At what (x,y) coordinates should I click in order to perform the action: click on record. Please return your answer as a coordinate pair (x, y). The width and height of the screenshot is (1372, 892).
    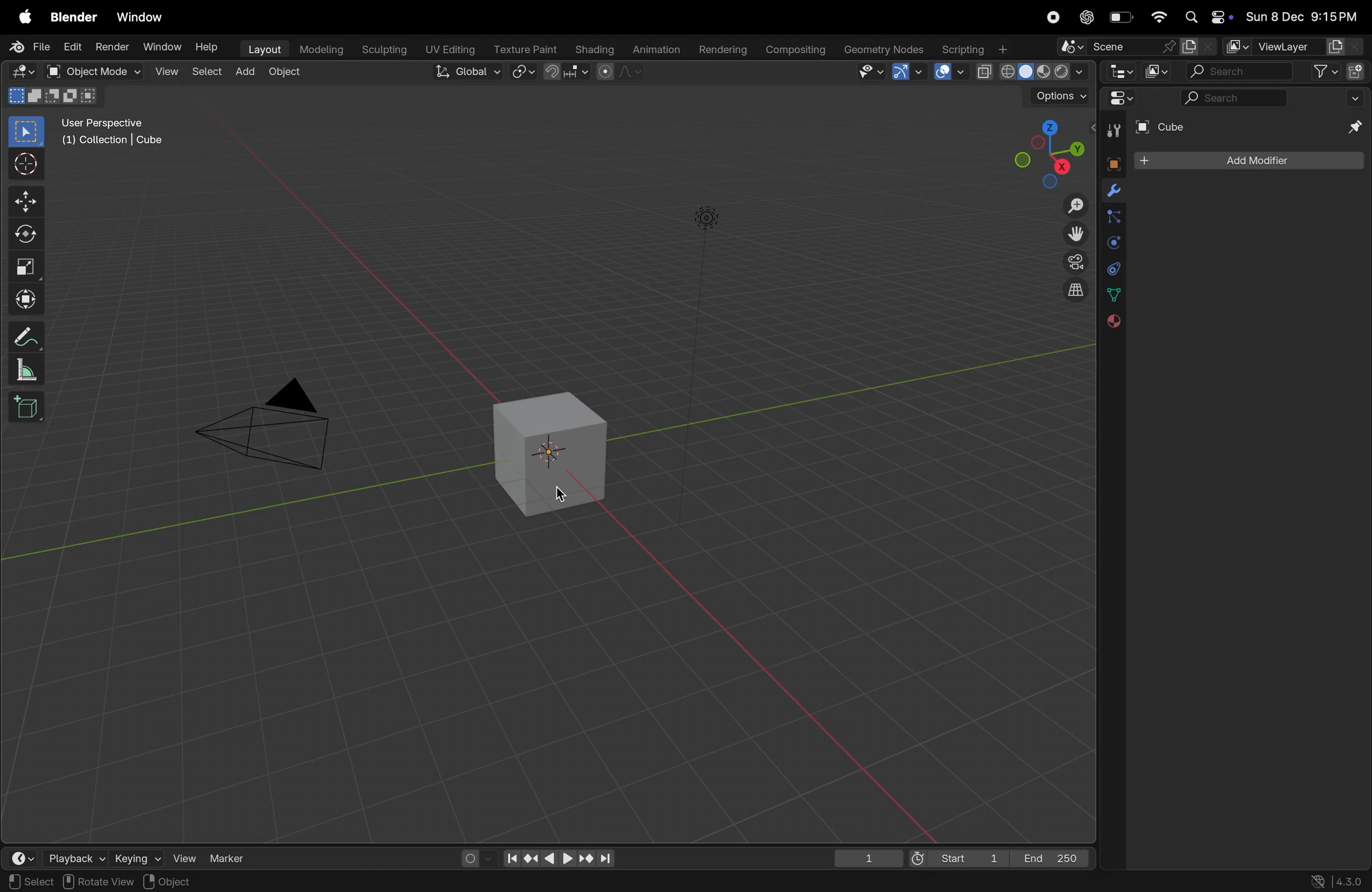
    Looking at the image, I should click on (1051, 17).